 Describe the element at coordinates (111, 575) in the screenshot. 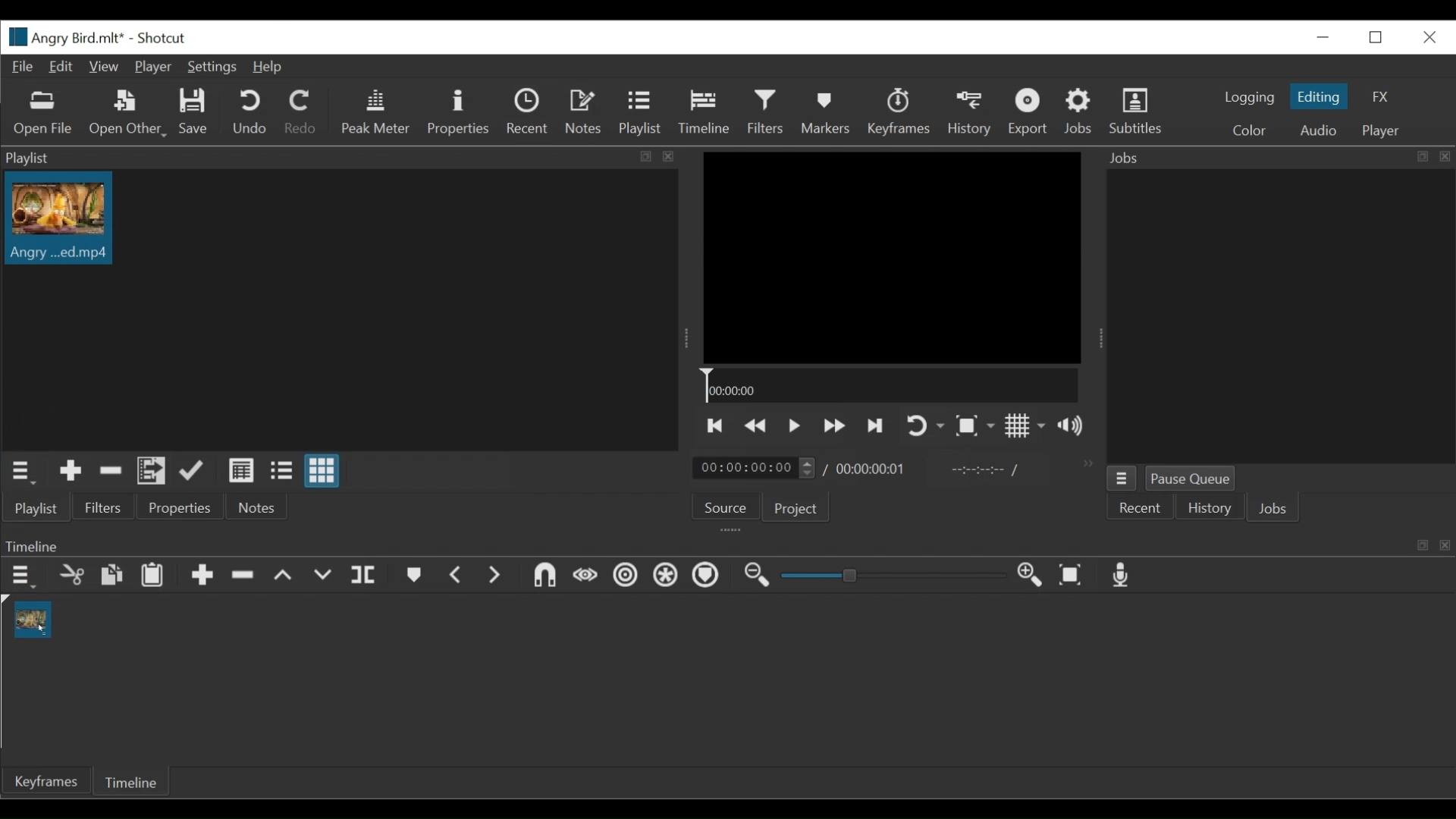

I see `Copy` at that location.